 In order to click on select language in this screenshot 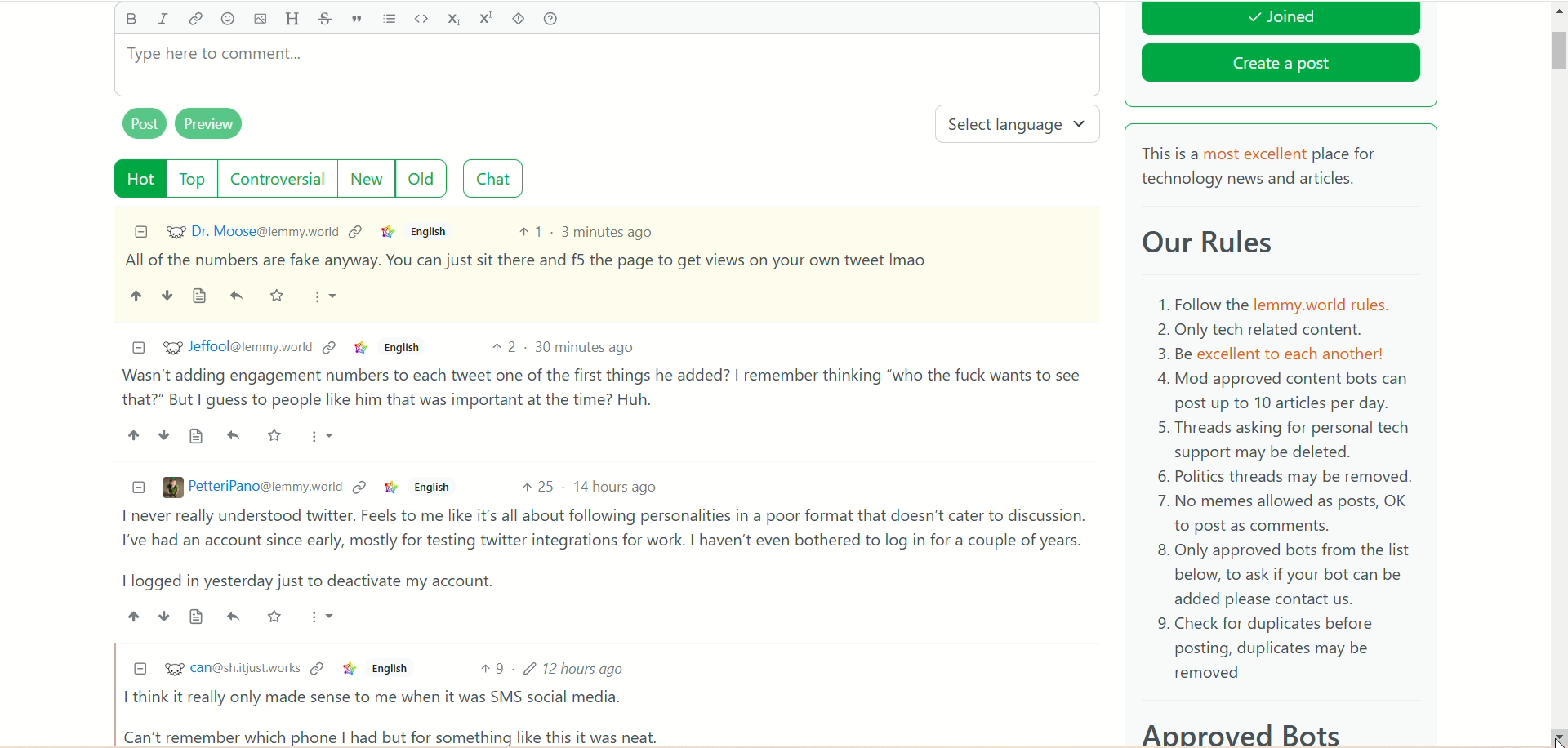, I will do `click(1020, 125)`.